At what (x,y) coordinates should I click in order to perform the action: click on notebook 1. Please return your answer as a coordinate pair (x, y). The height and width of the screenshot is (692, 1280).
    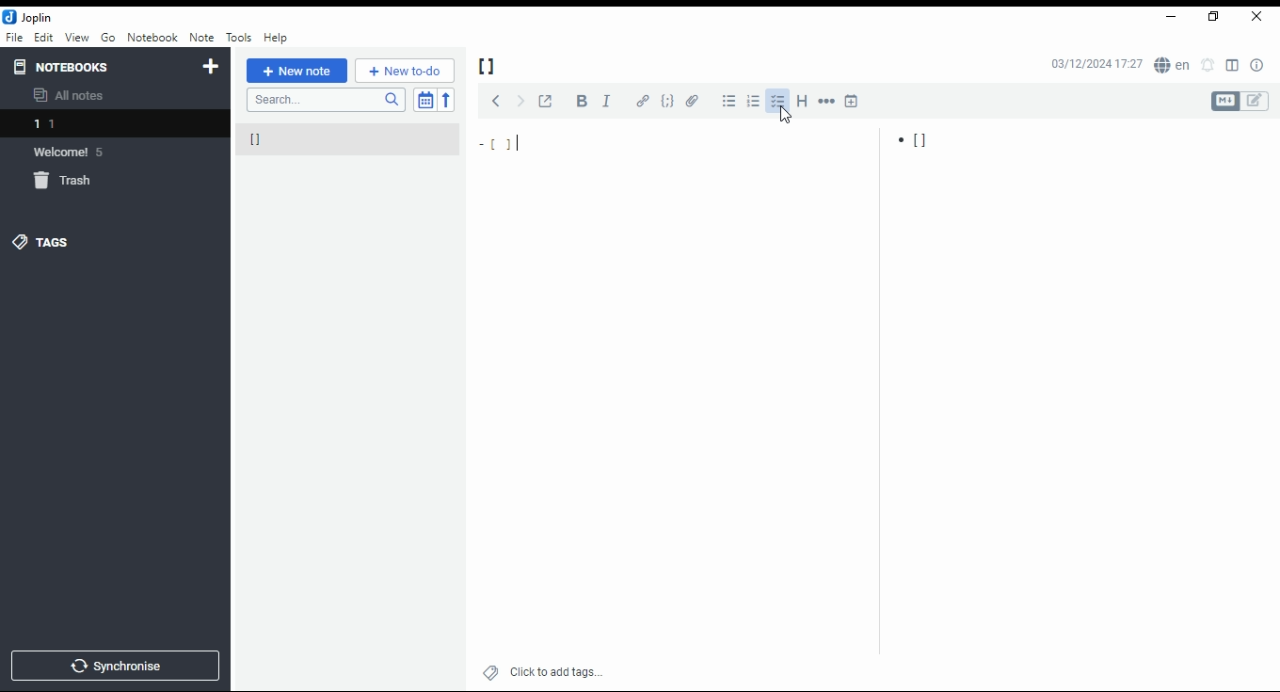
    Looking at the image, I should click on (84, 123).